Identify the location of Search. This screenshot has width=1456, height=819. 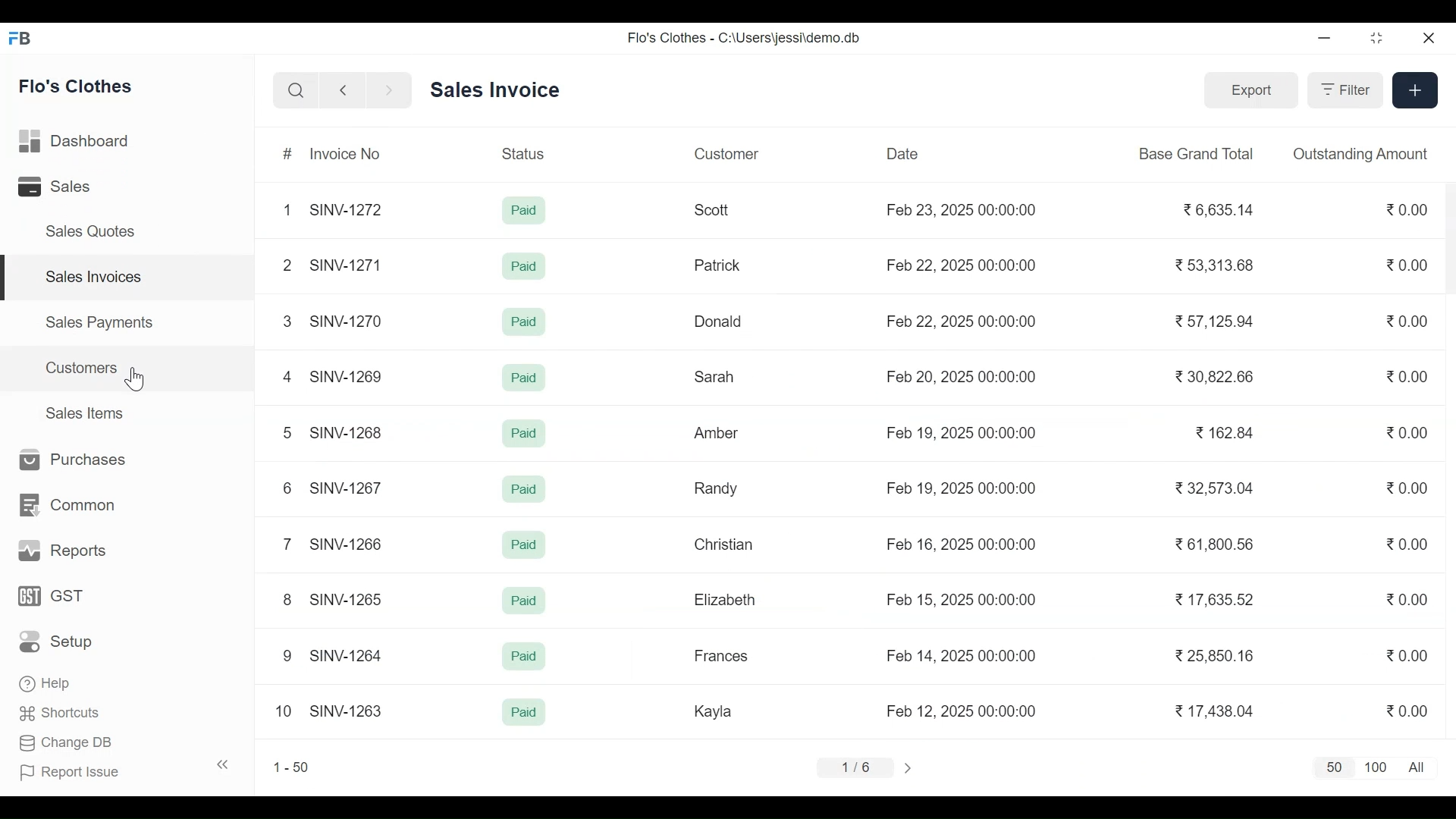
(299, 90).